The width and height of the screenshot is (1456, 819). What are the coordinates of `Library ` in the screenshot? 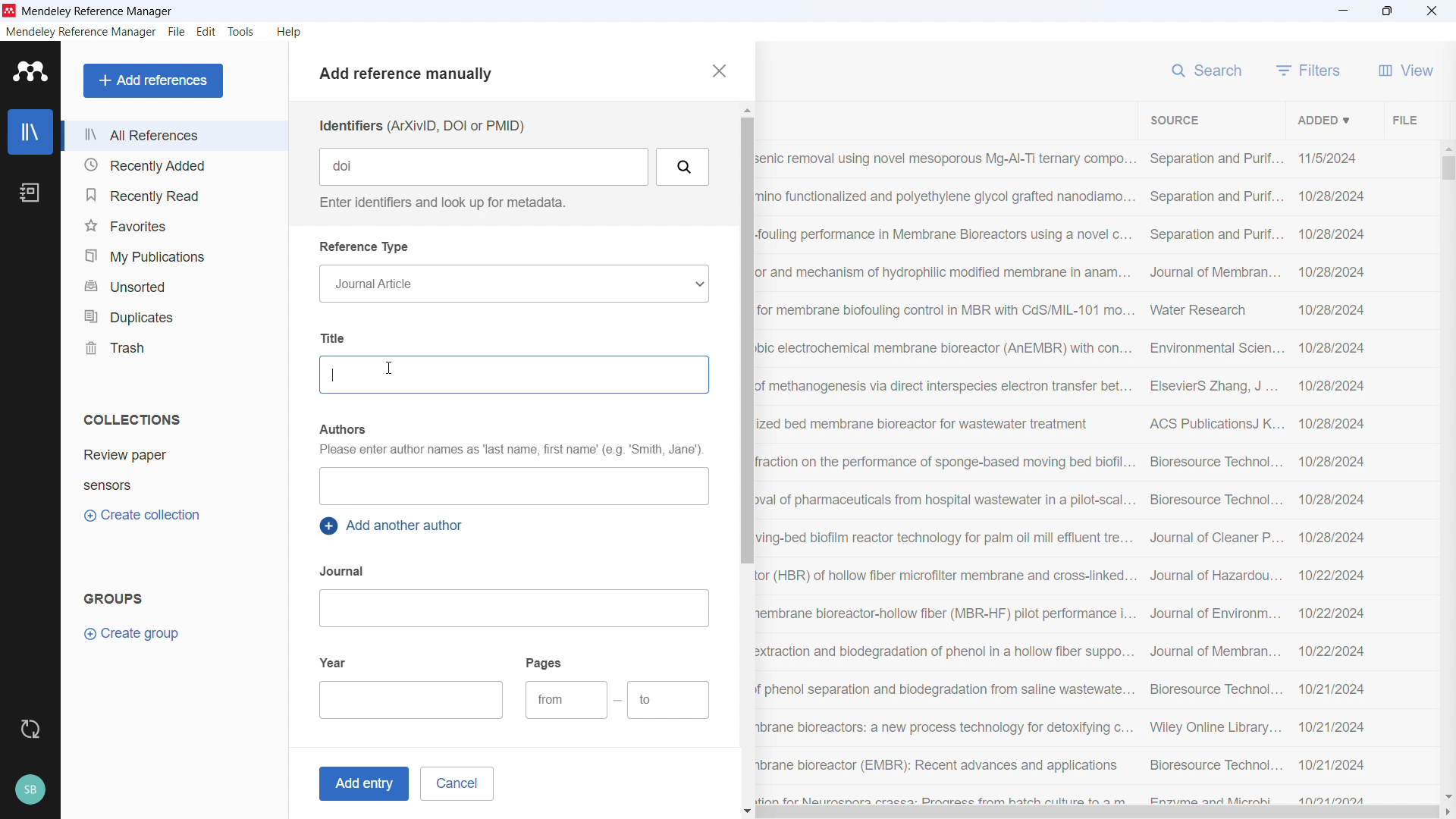 It's located at (30, 132).